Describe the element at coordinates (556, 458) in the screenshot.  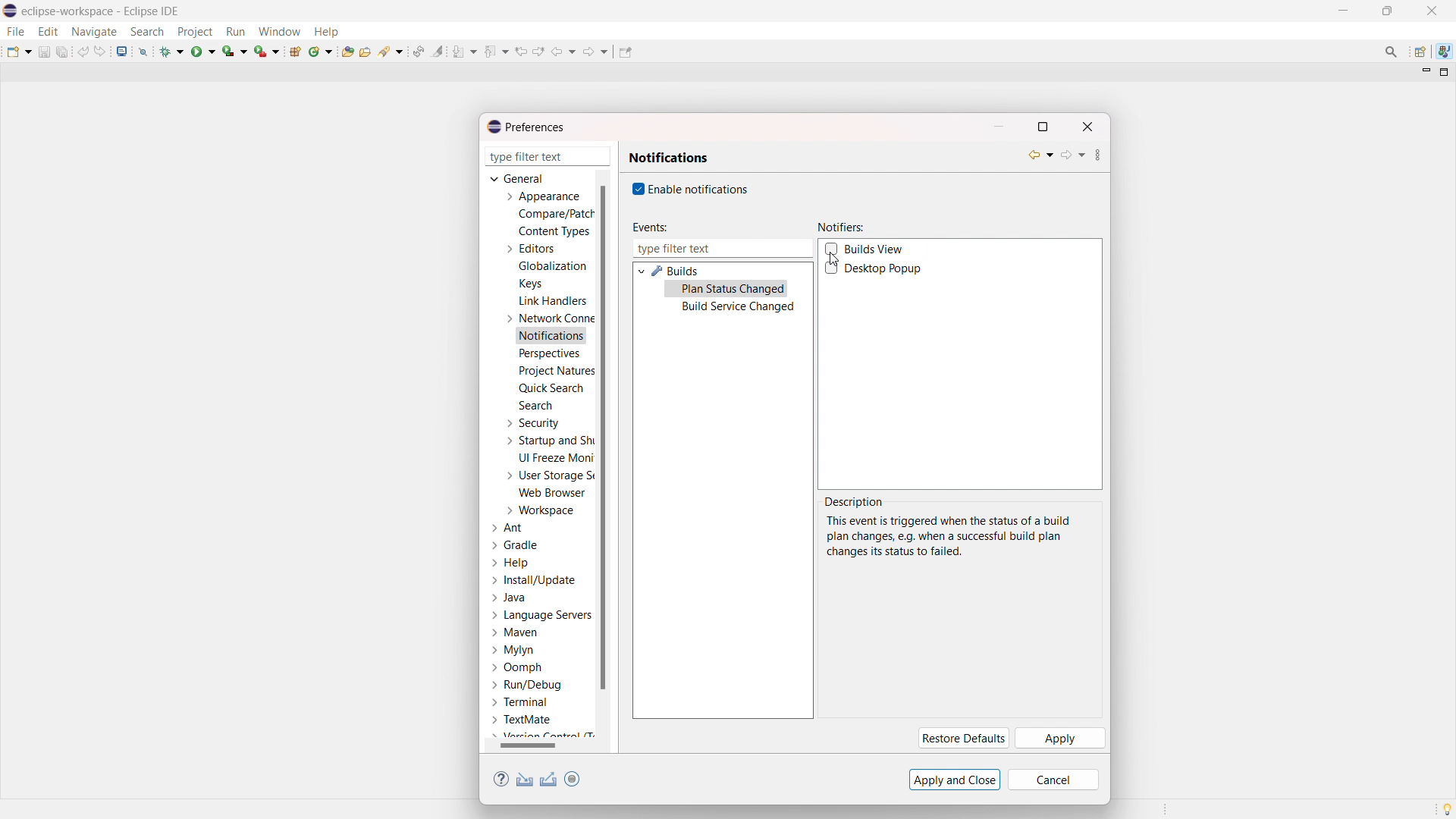
I see `UI freeze monitoring` at that location.